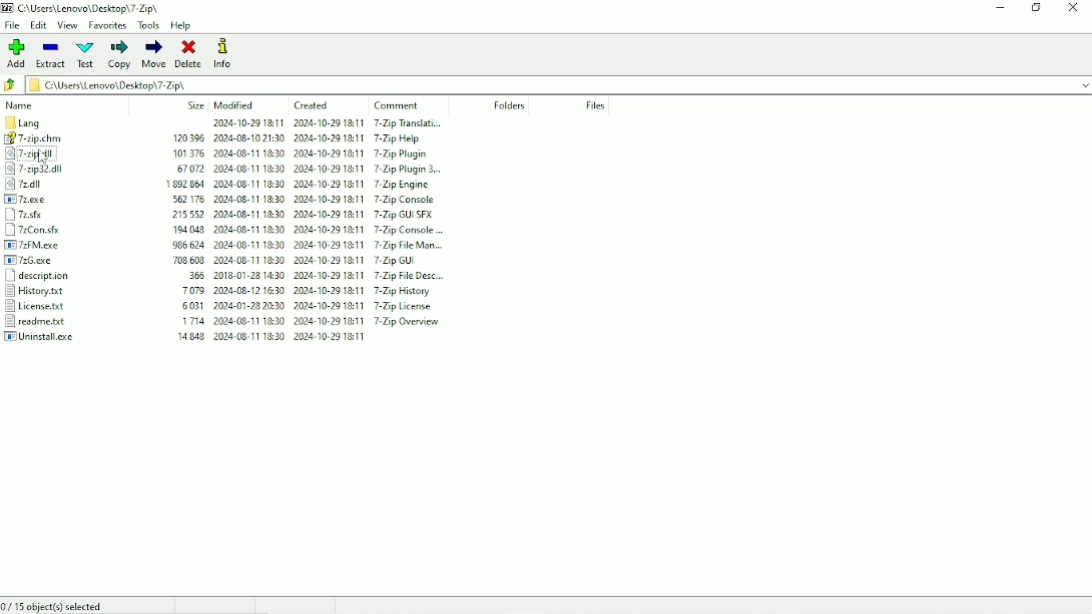 This screenshot has height=614, width=1092. What do you see at coordinates (225, 122) in the screenshot?
I see `Lang` at bounding box center [225, 122].